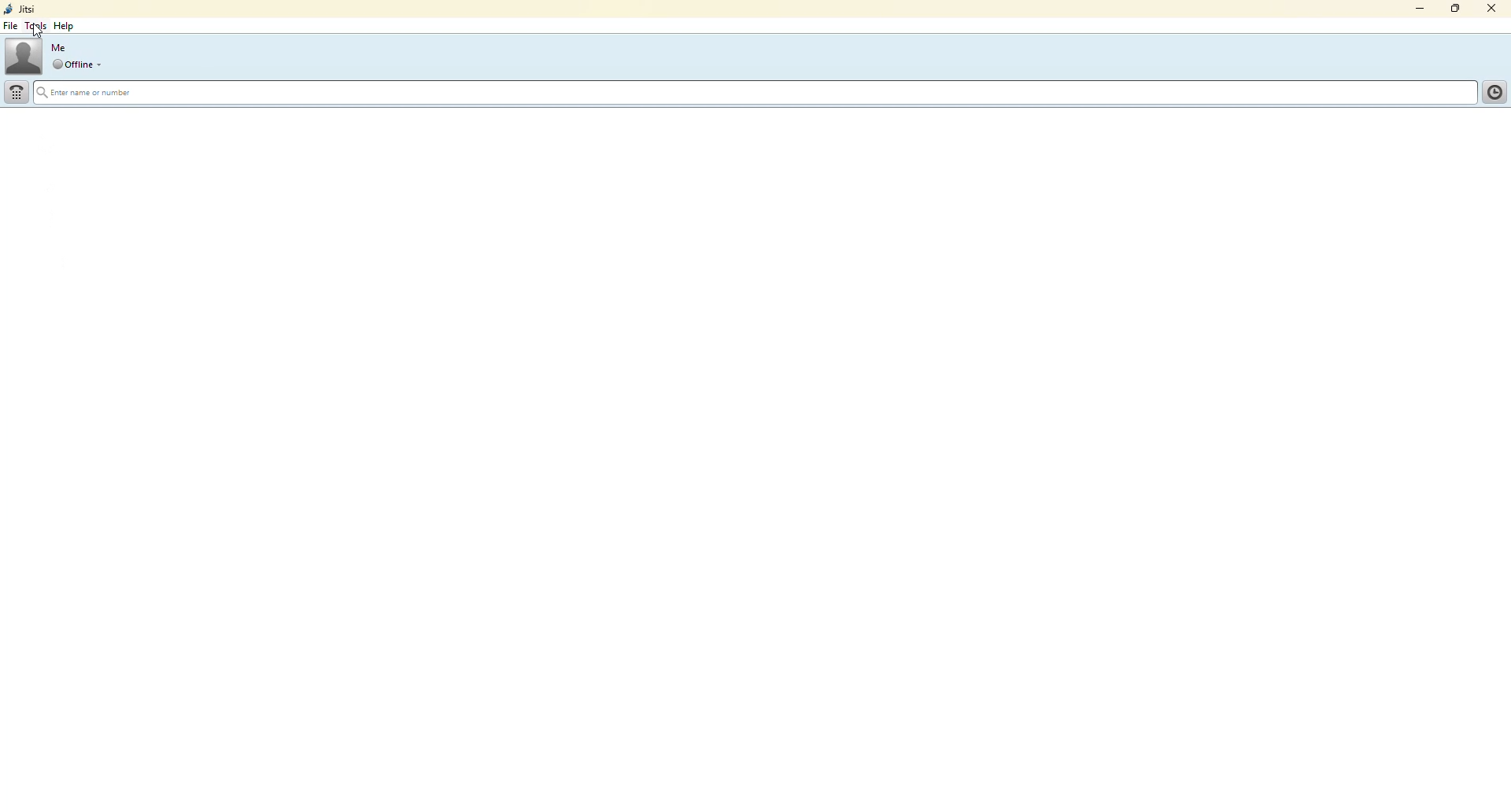  Describe the element at coordinates (71, 64) in the screenshot. I see `drop down` at that location.